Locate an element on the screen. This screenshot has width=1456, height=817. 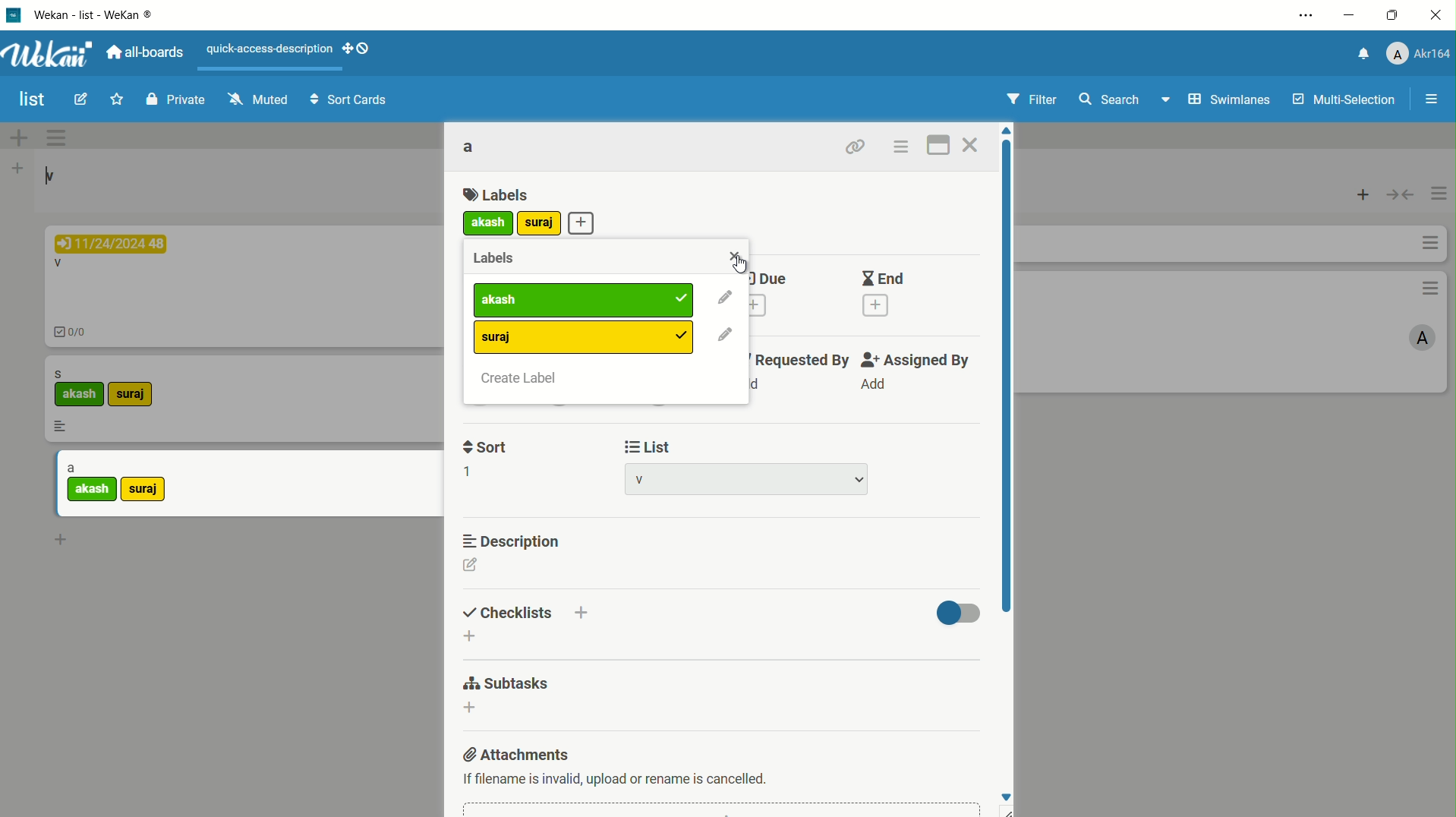
added is located at coordinates (682, 298).